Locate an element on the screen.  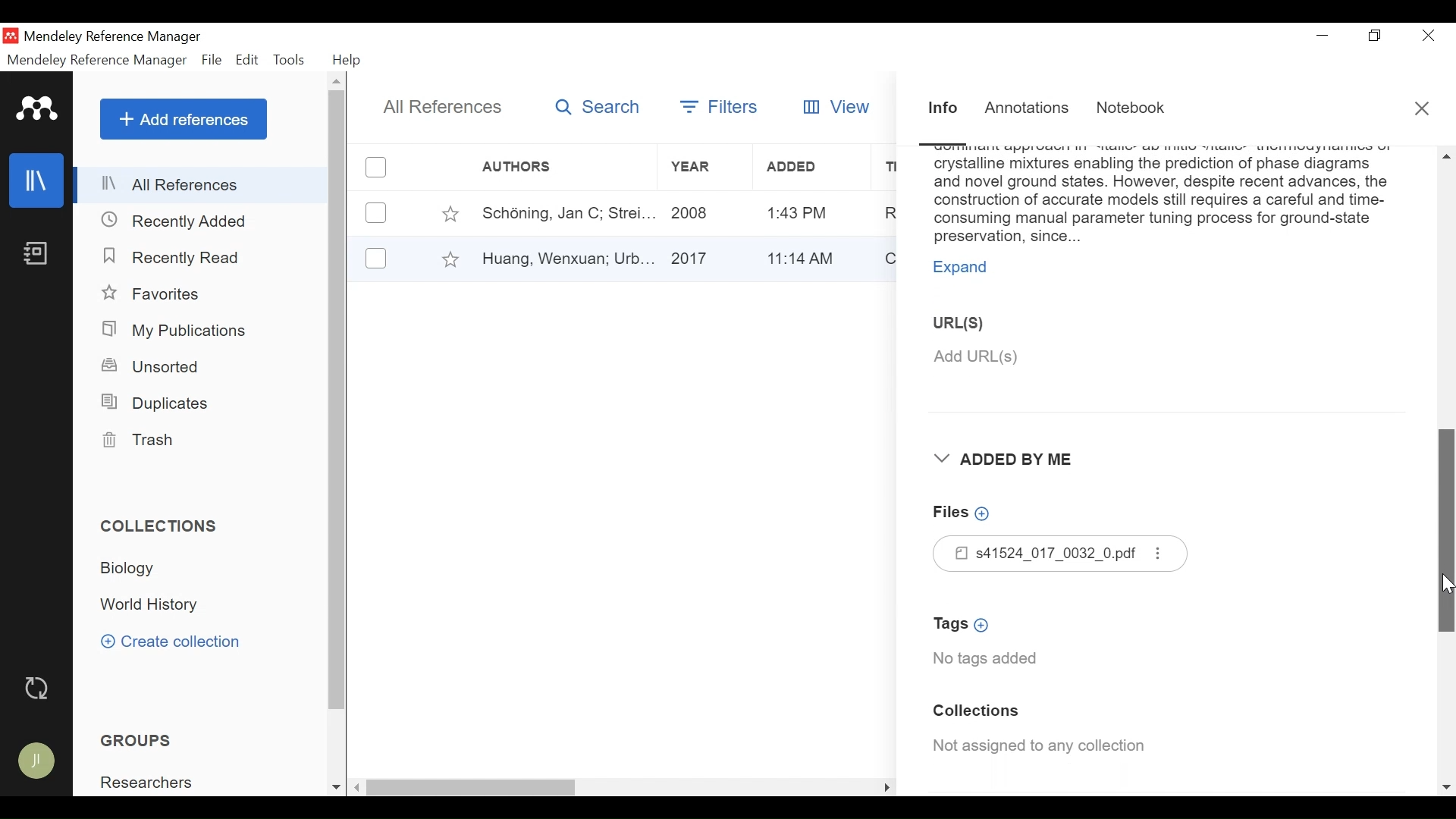
Mendeley Reference Manager is located at coordinates (116, 36).